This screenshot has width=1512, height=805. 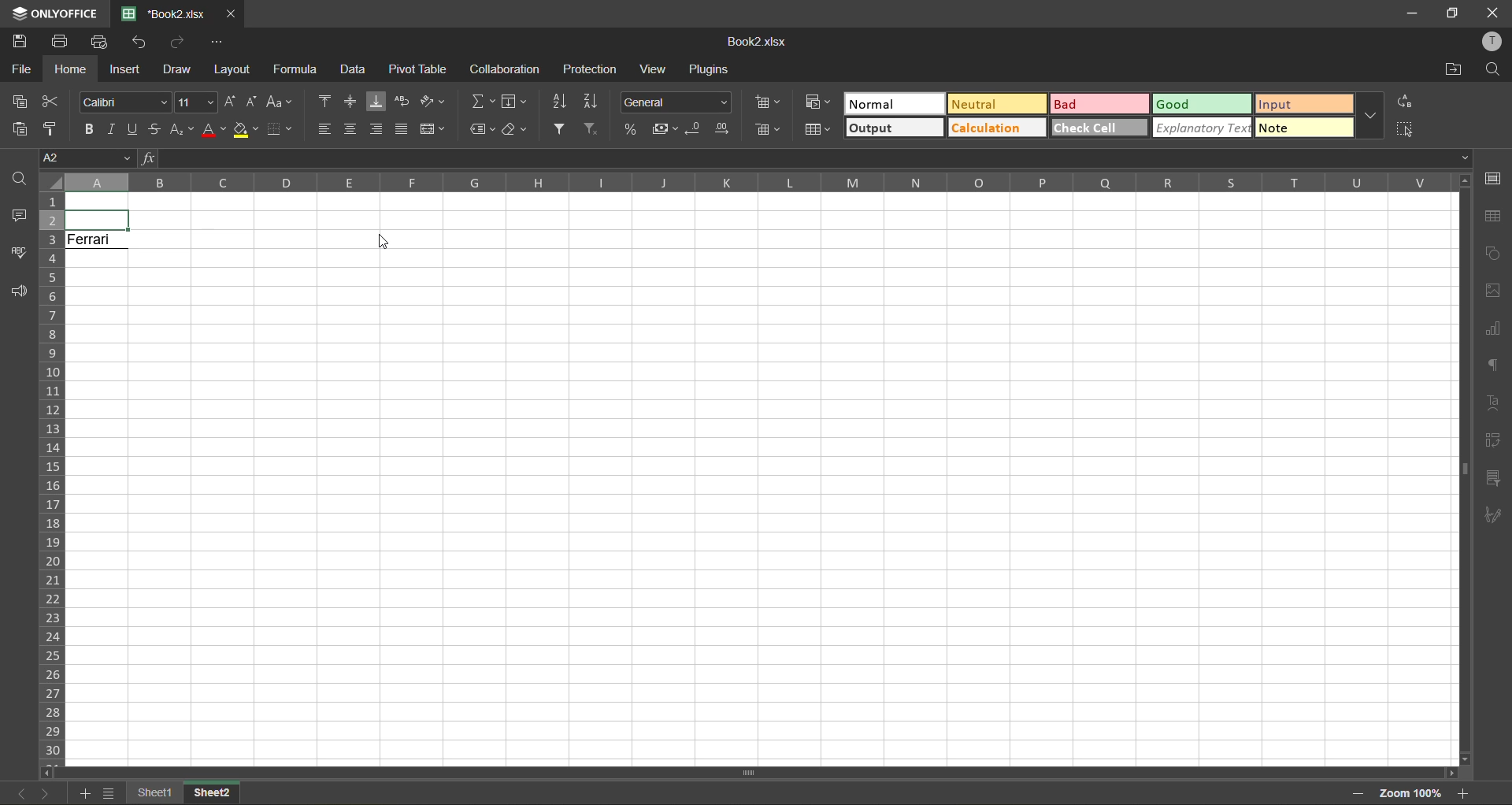 What do you see at coordinates (1462, 469) in the screenshot?
I see `Scrollbar` at bounding box center [1462, 469].